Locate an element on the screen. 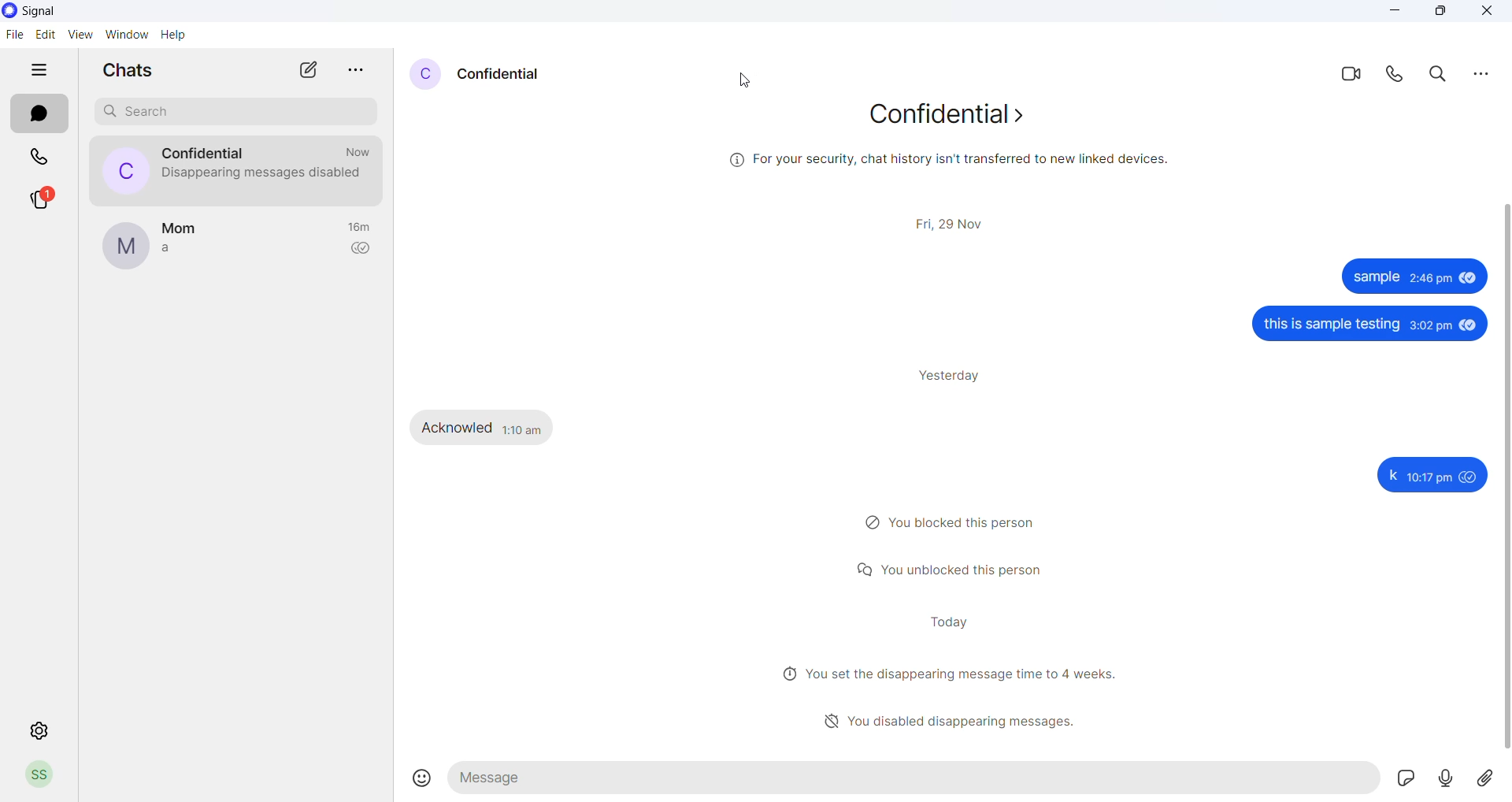 The width and height of the screenshot is (1512, 802). contact name is located at coordinates (206, 150).